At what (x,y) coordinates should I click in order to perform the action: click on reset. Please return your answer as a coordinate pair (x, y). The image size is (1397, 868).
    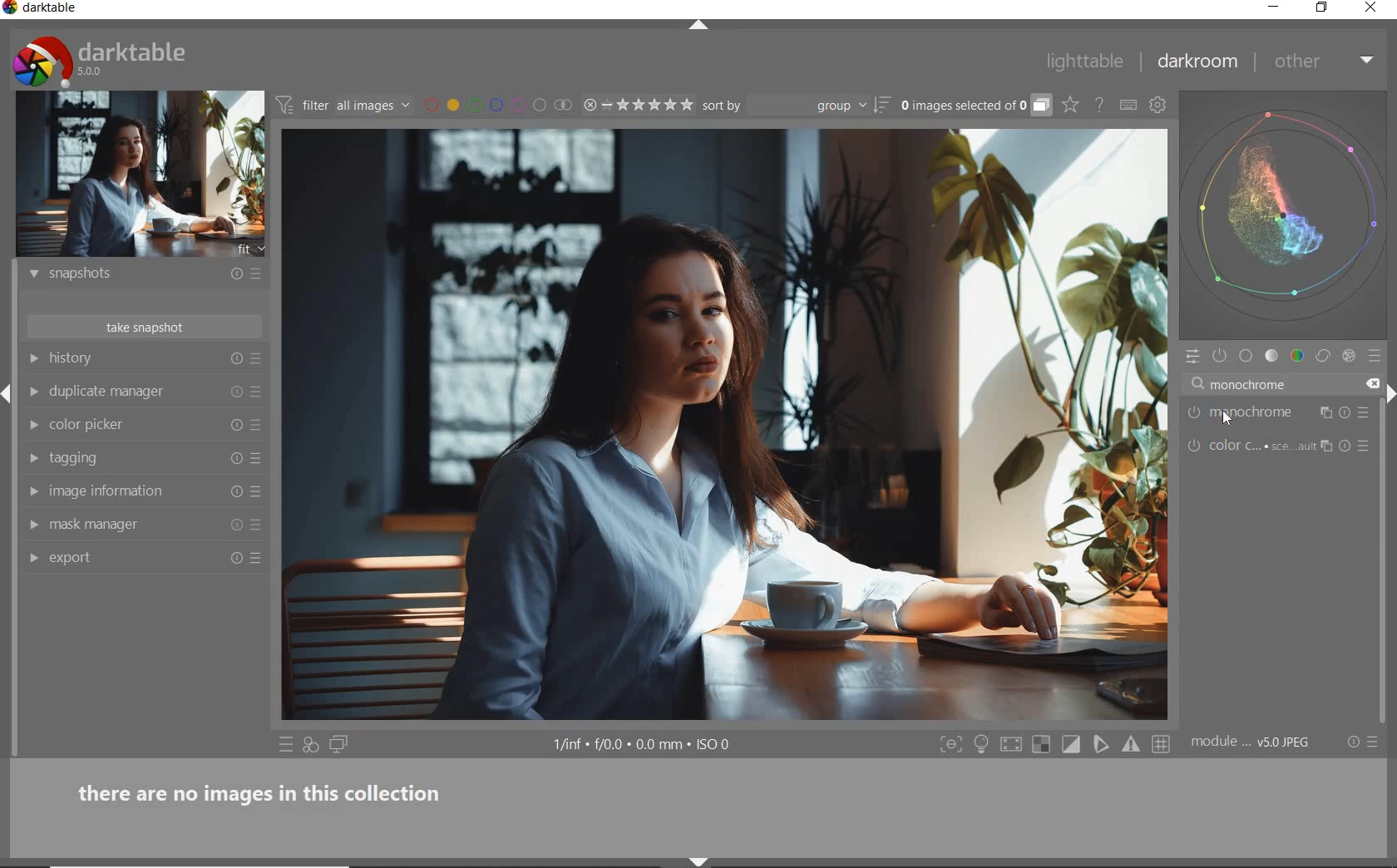
    Looking at the image, I should click on (234, 457).